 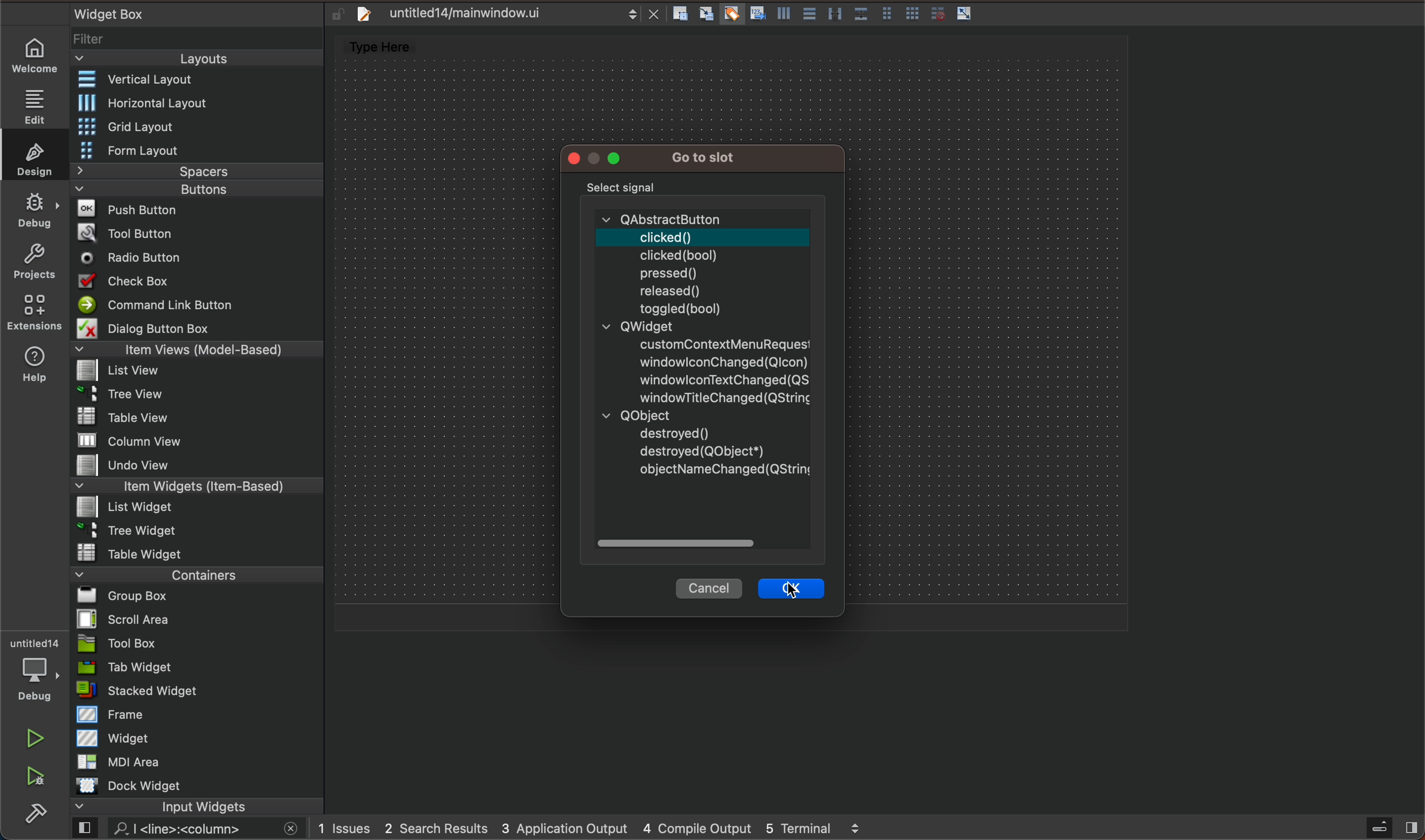 I want to click on , so click(x=708, y=12).